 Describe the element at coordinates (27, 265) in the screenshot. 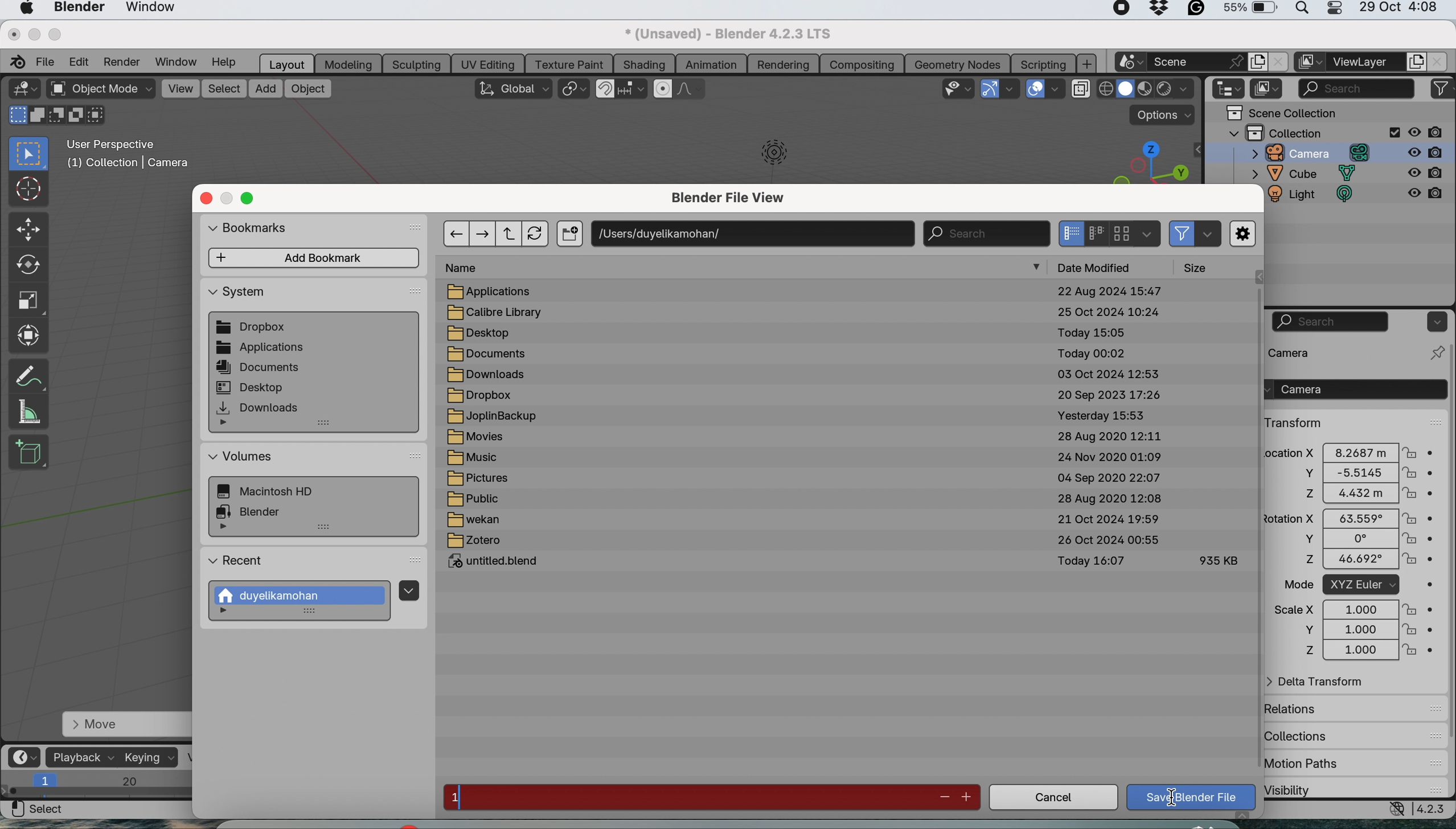

I see `rotate` at that location.